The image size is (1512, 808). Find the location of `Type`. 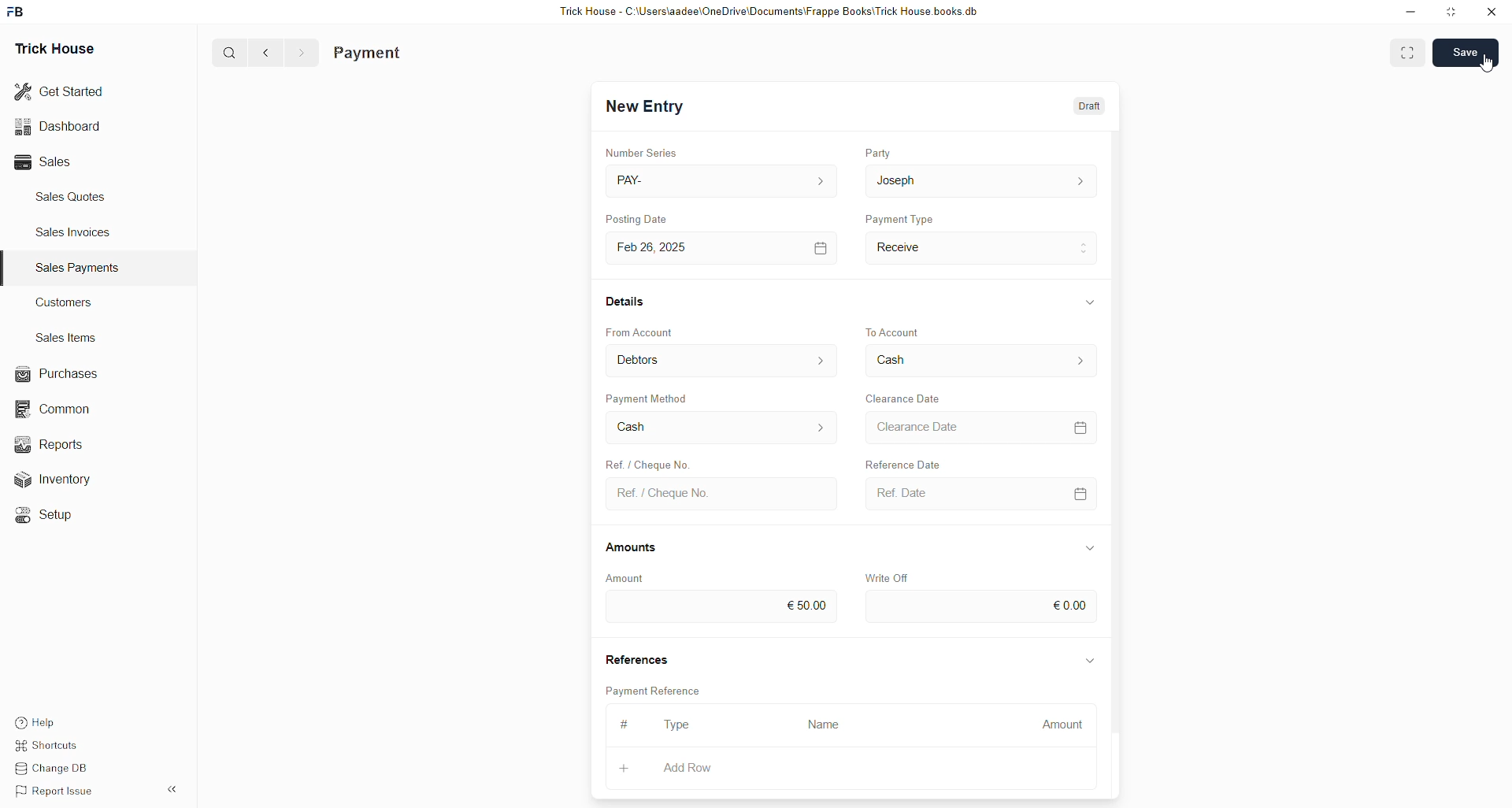

Type is located at coordinates (677, 725).